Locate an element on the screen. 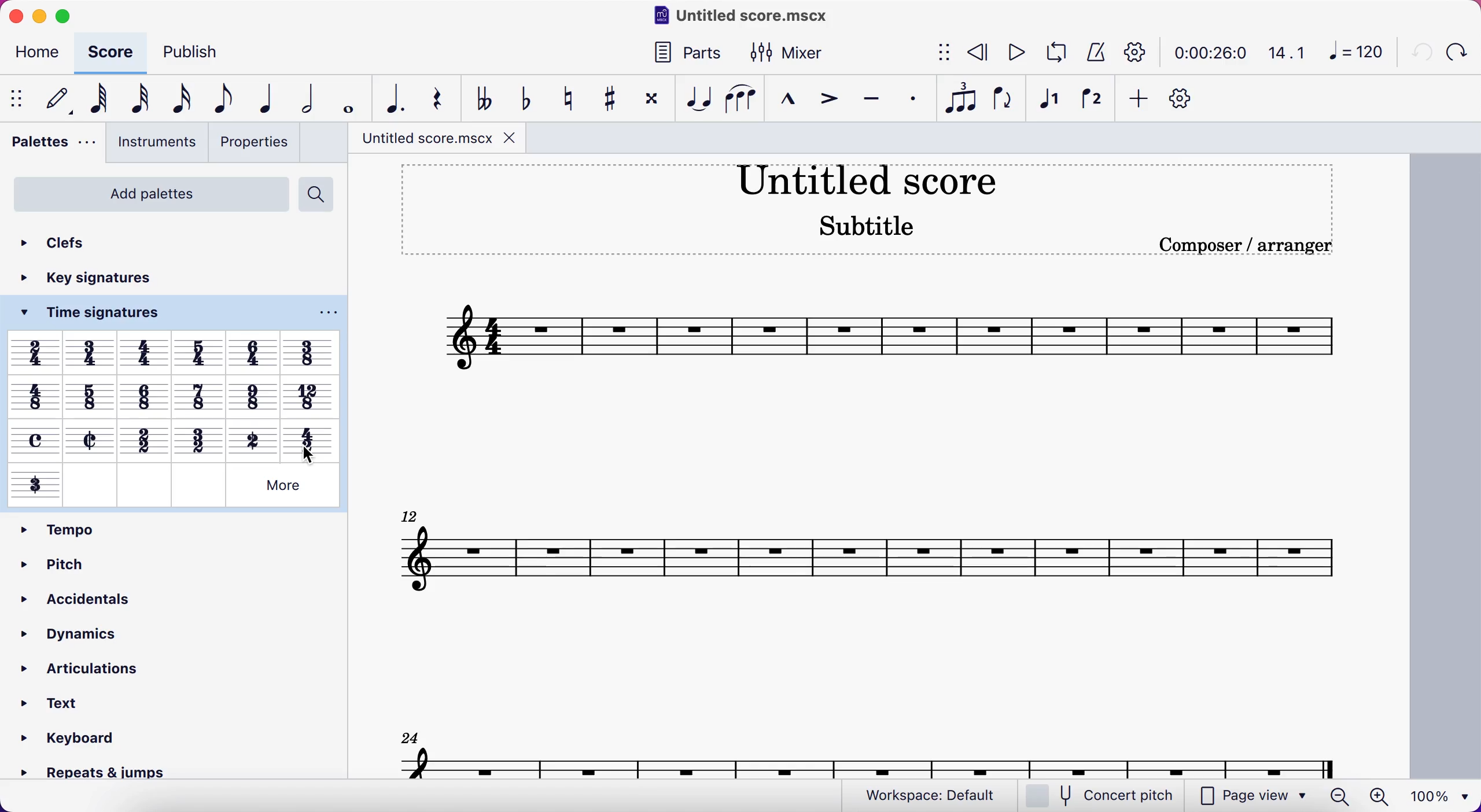 Image resolution: width=1481 pixels, height=812 pixels. 32nd note is located at coordinates (138, 99).